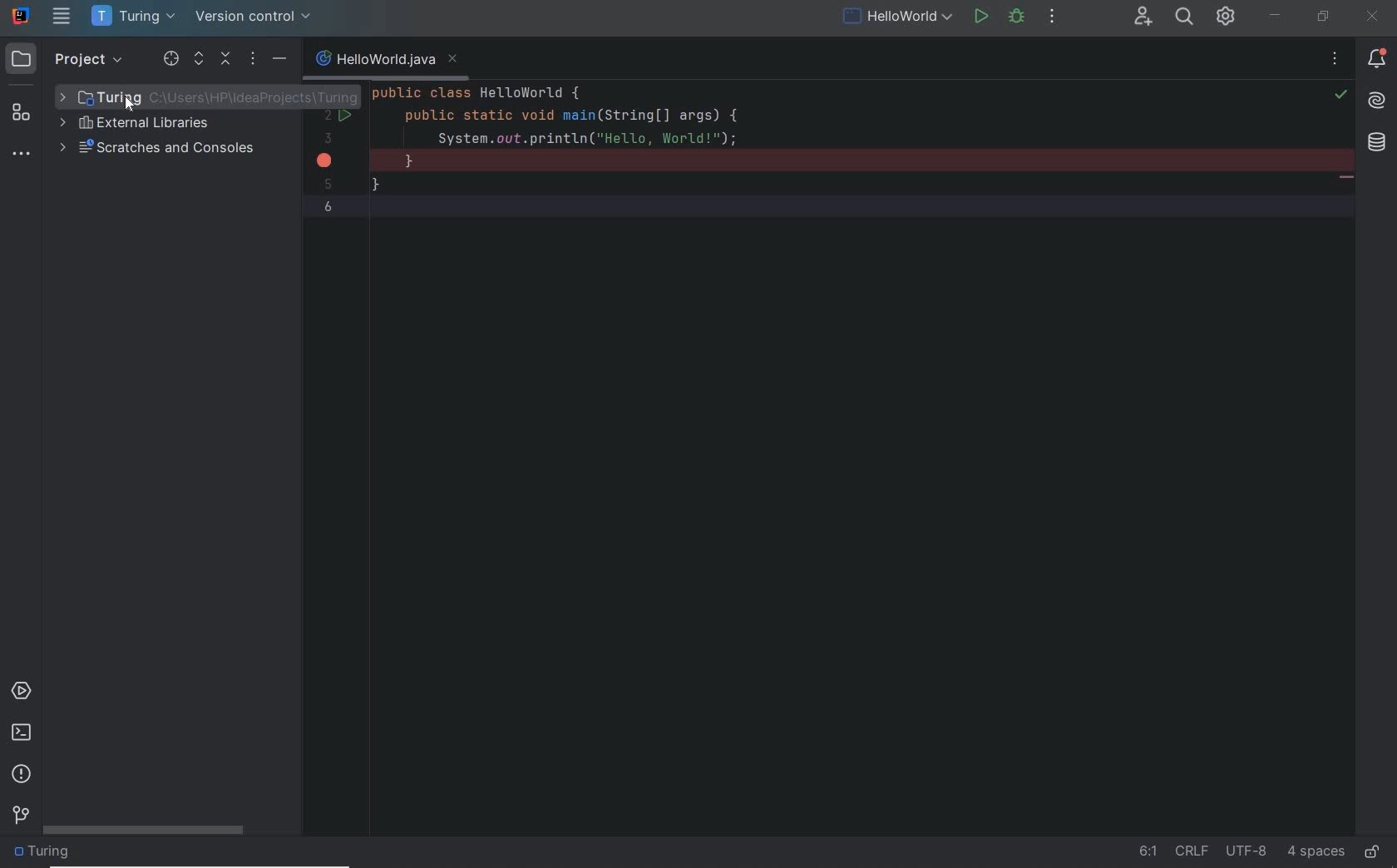 The height and width of the screenshot is (868, 1397). What do you see at coordinates (62, 17) in the screenshot?
I see `main menu` at bounding box center [62, 17].